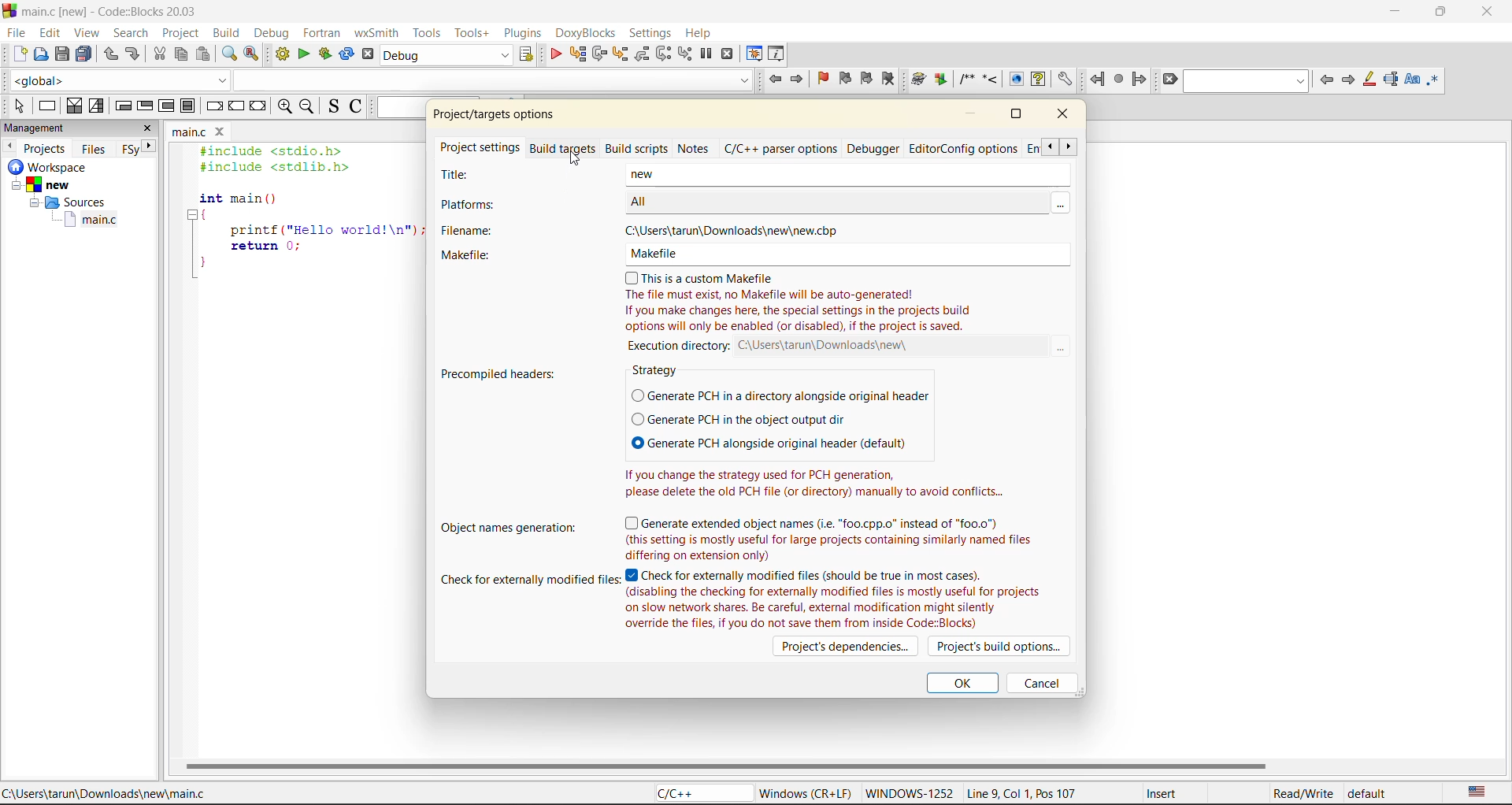 This screenshot has height=805, width=1512. I want to click on close, so click(150, 128).